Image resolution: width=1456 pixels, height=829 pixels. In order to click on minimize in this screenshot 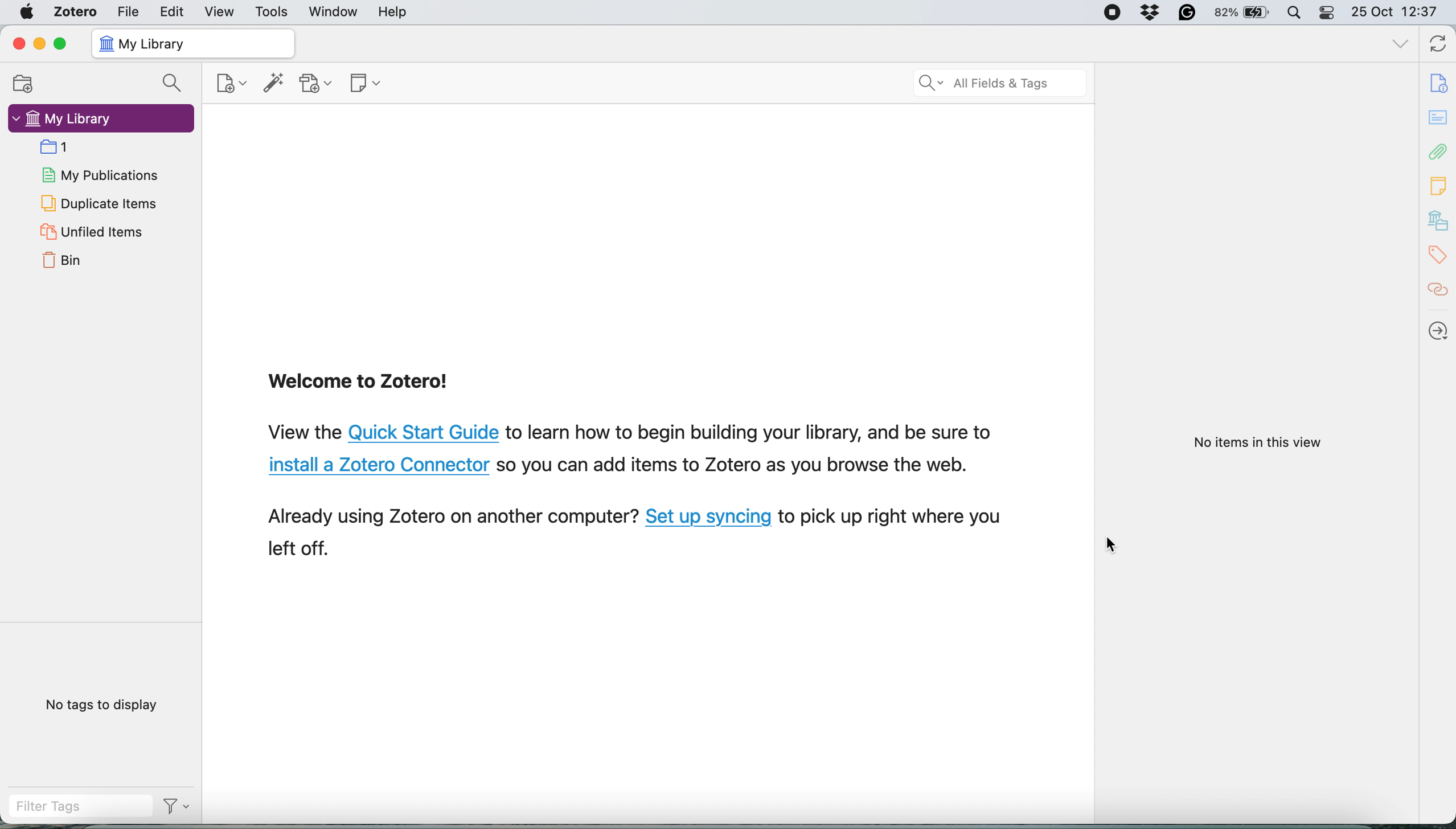, I will do `click(41, 46)`.